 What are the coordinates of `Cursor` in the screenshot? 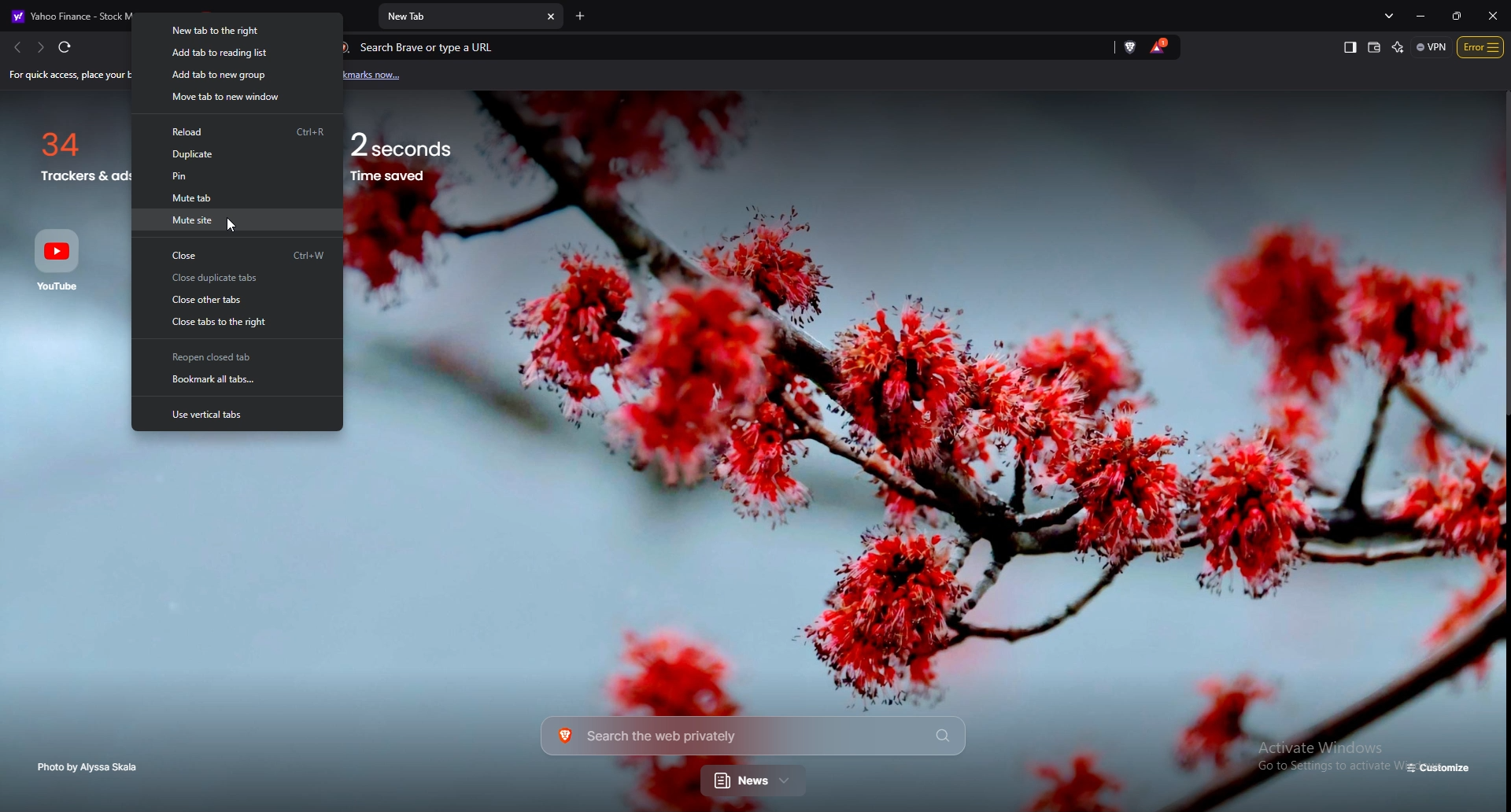 It's located at (235, 227).